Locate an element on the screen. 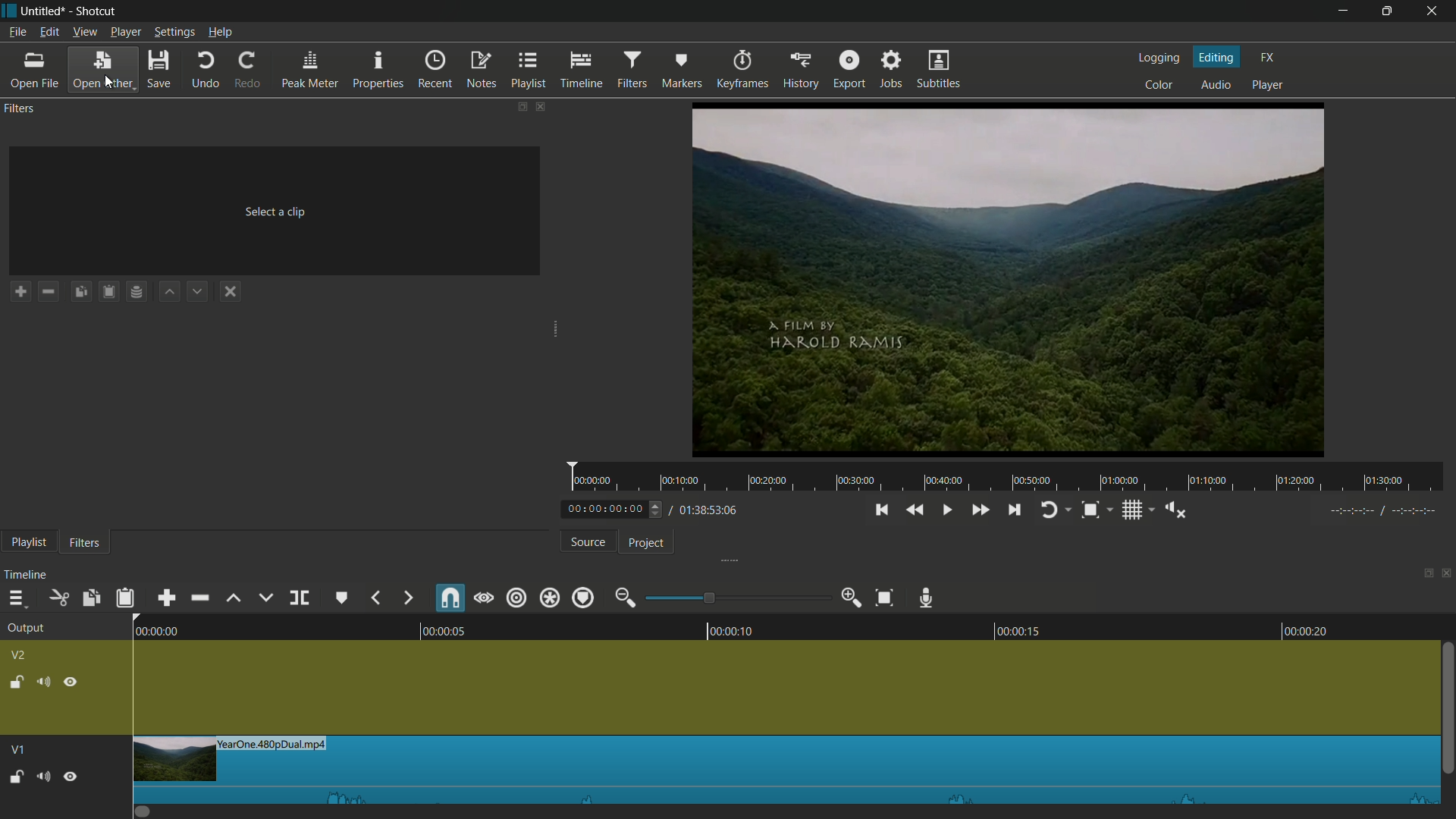  timeline menu is located at coordinates (15, 598).